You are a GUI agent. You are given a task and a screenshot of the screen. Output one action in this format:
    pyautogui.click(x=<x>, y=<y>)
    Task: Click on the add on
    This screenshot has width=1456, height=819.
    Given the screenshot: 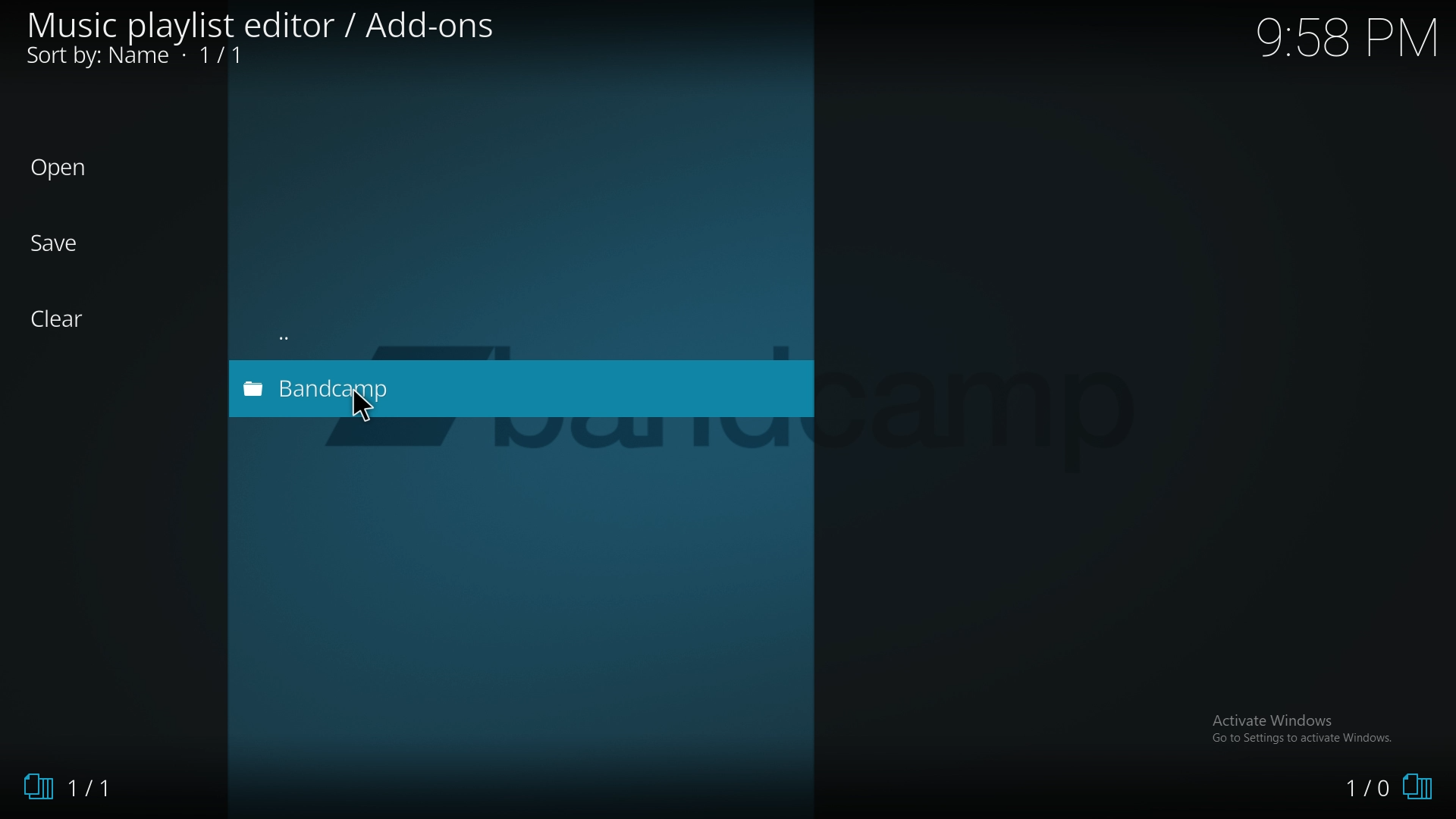 What is the action you would take?
    pyautogui.click(x=426, y=391)
    